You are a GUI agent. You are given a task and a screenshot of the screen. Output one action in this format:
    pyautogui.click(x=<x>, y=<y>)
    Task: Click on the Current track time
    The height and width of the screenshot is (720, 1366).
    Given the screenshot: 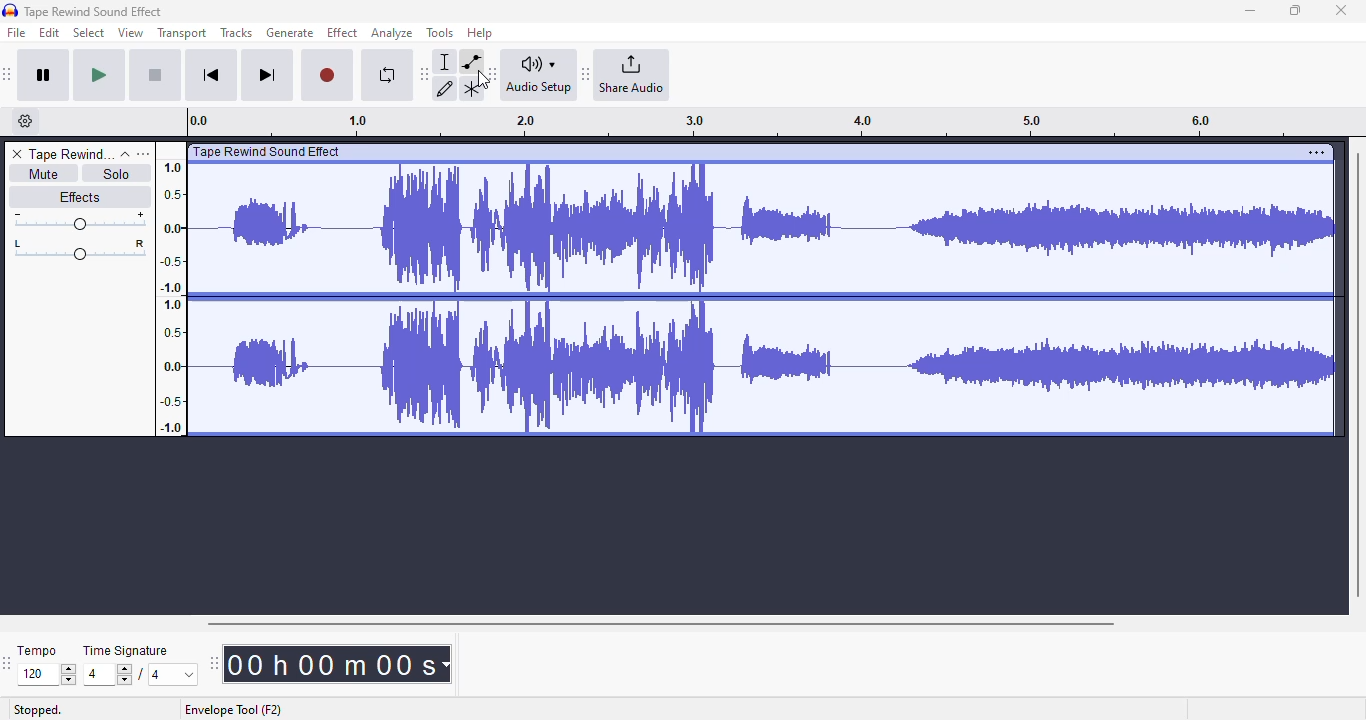 What is the action you would take?
    pyautogui.click(x=329, y=664)
    